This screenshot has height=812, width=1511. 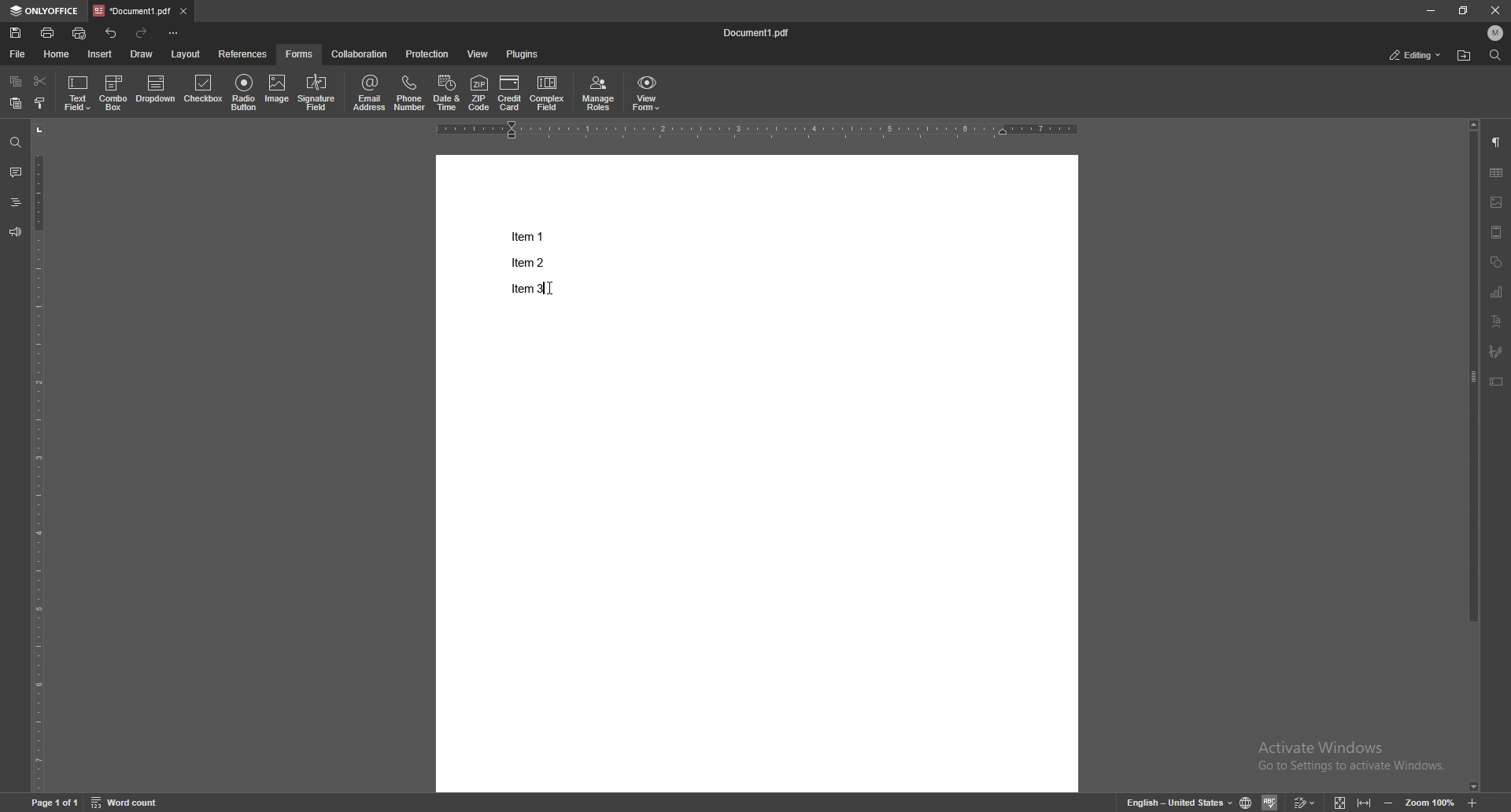 I want to click on find, so click(x=1495, y=55).